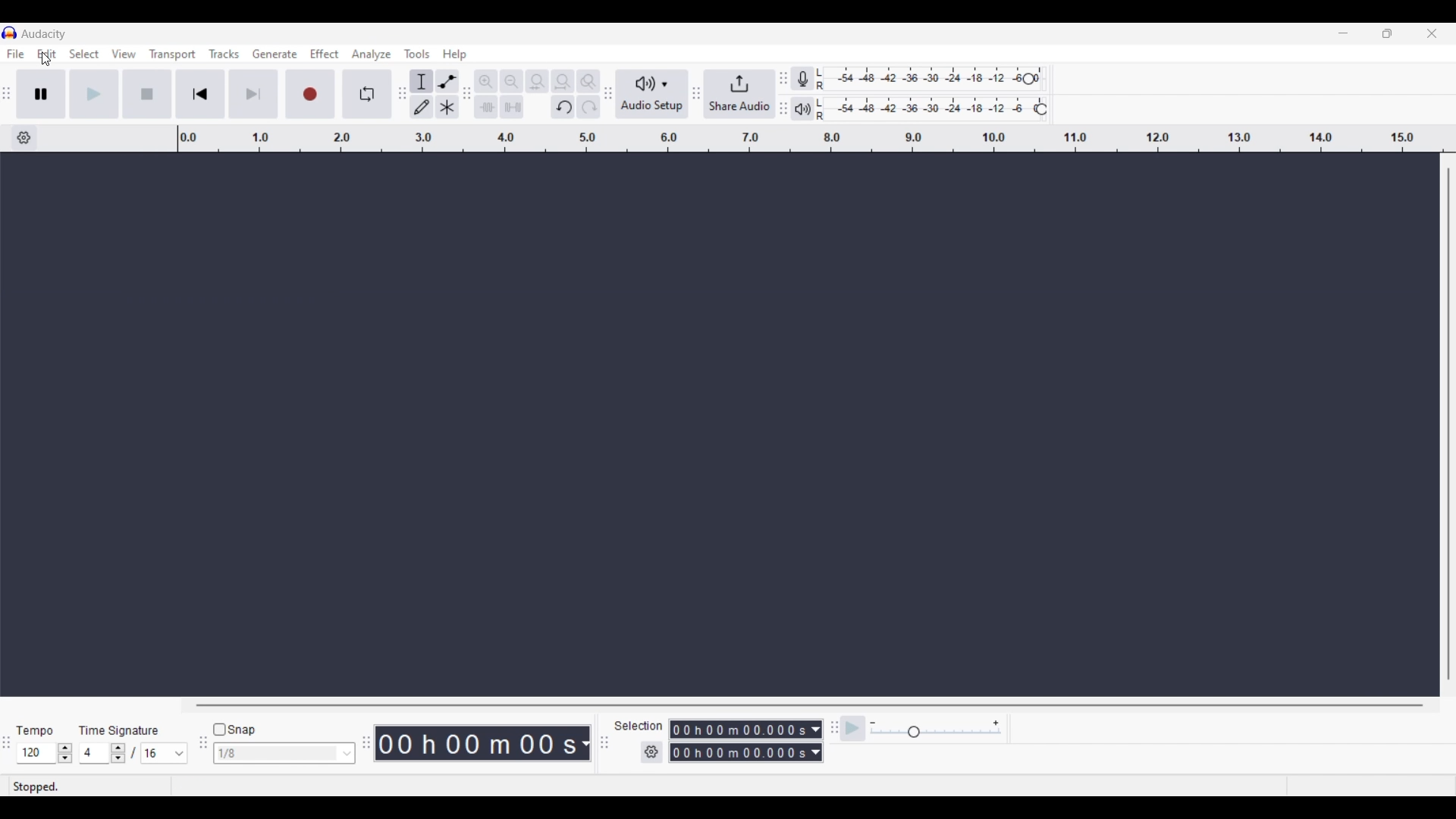 This screenshot has width=1456, height=819. Describe the element at coordinates (716, 426) in the screenshot. I see `Audio track space empty after deletion of Audio 1` at that location.